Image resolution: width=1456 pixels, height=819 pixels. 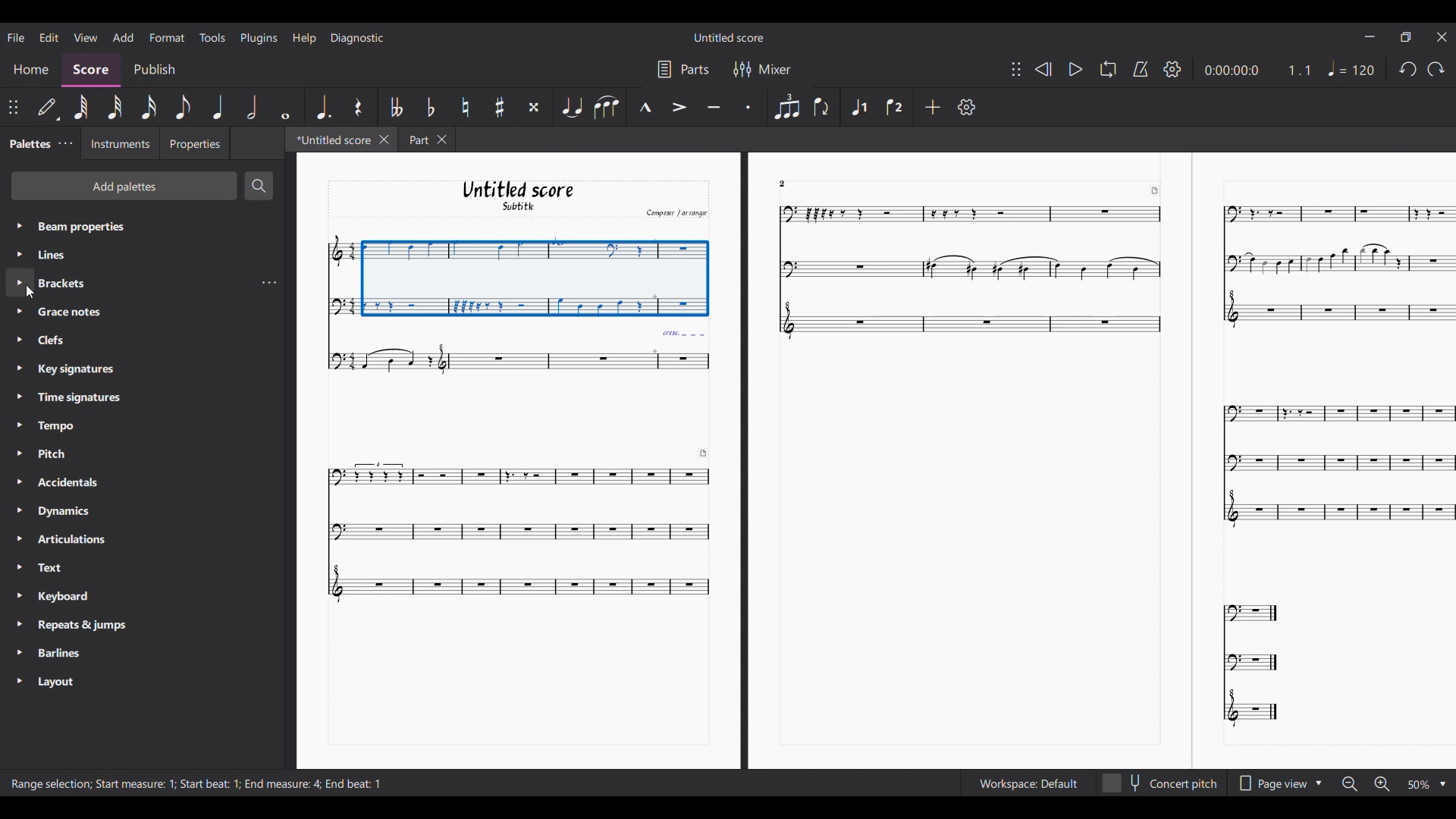 What do you see at coordinates (740, 69) in the screenshot?
I see `Filter` at bounding box center [740, 69].